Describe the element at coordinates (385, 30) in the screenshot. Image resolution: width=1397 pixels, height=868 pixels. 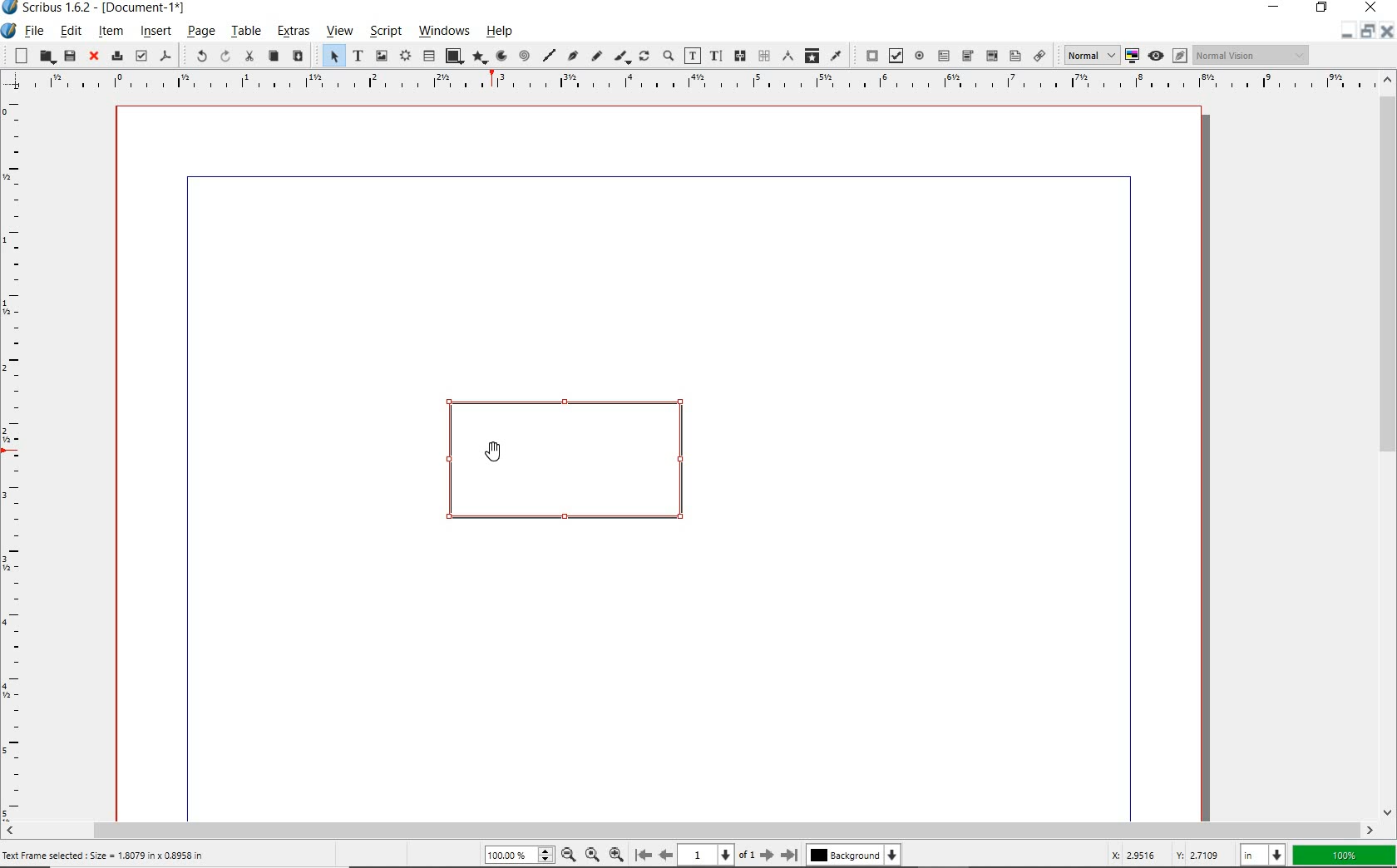
I see `script` at that location.